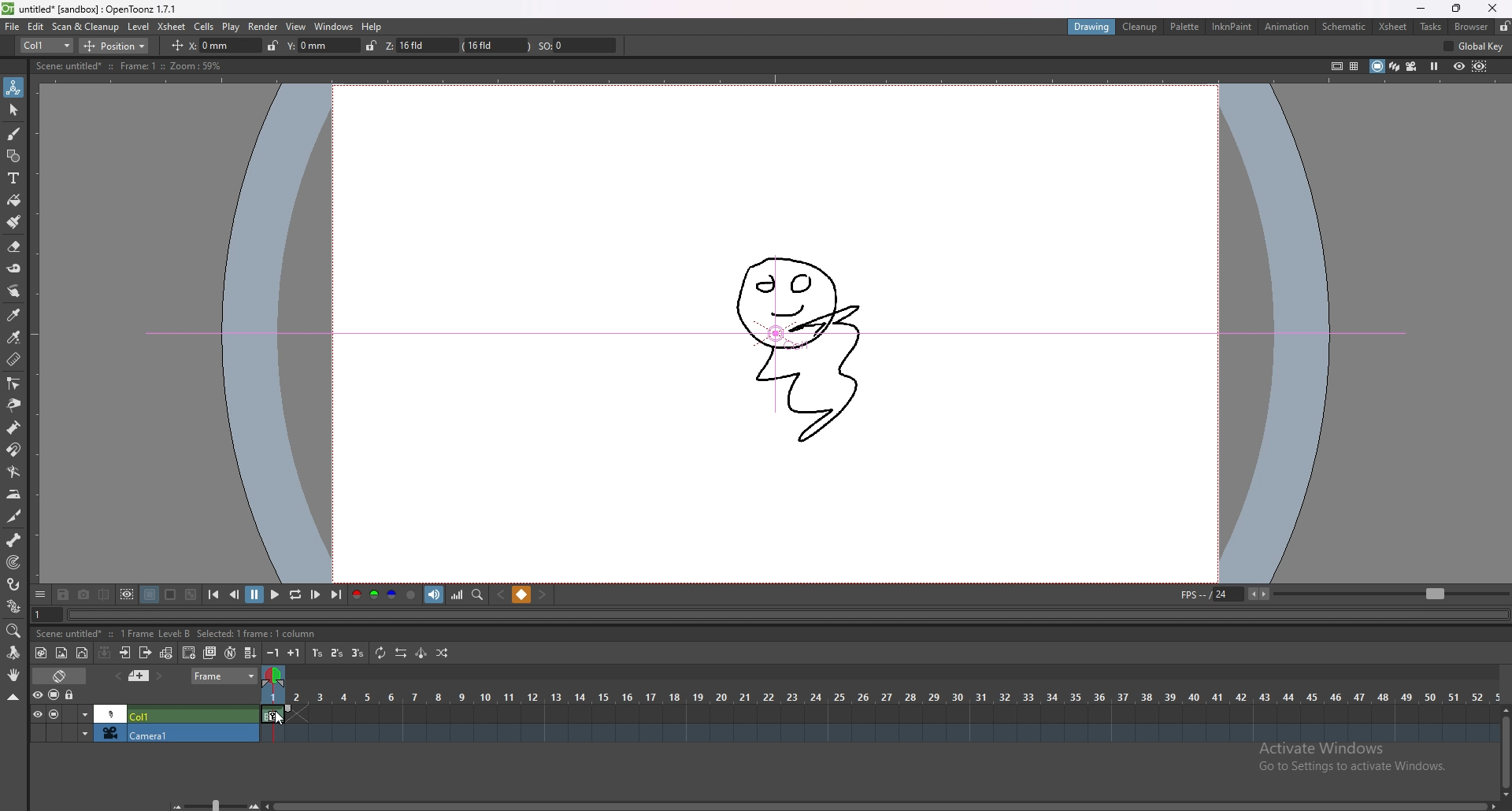 The width and height of the screenshot is (1512, 811). Describe the element at coordinates (1459, 65) in the screenshot. I see `preview` at that location.